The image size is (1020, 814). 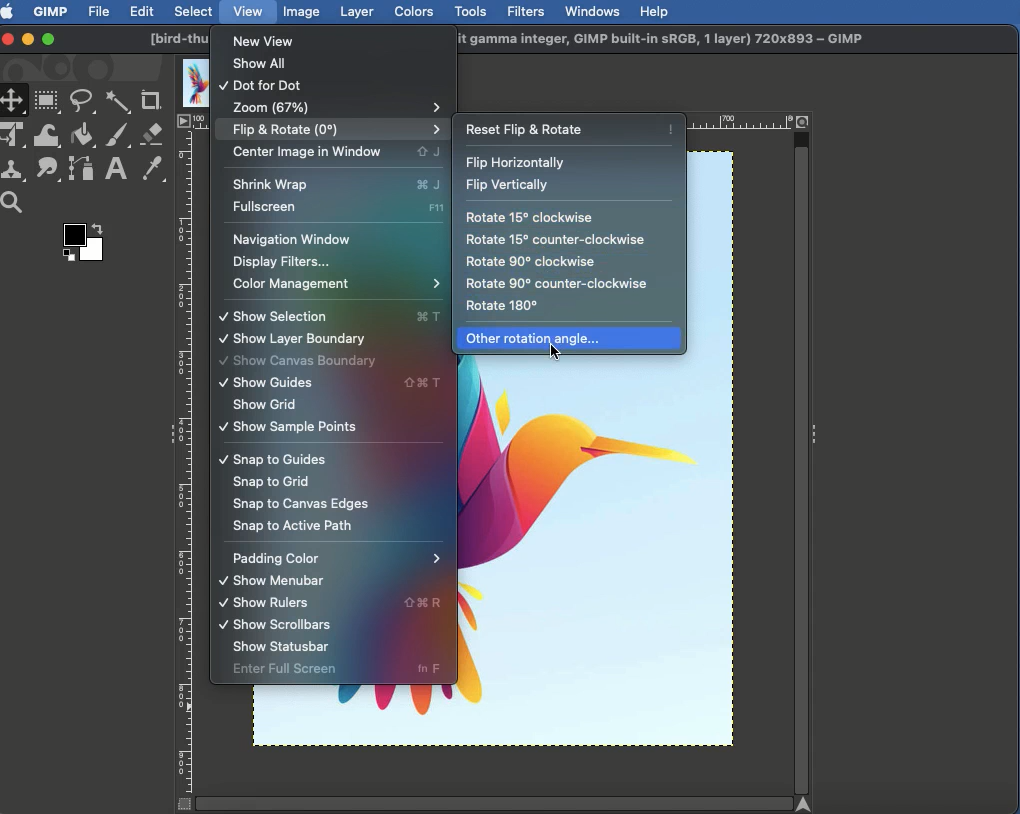 What do you see at coordinates (470, 12) in the screenshot?
I see `Tools` at bounding box center [470, 12].